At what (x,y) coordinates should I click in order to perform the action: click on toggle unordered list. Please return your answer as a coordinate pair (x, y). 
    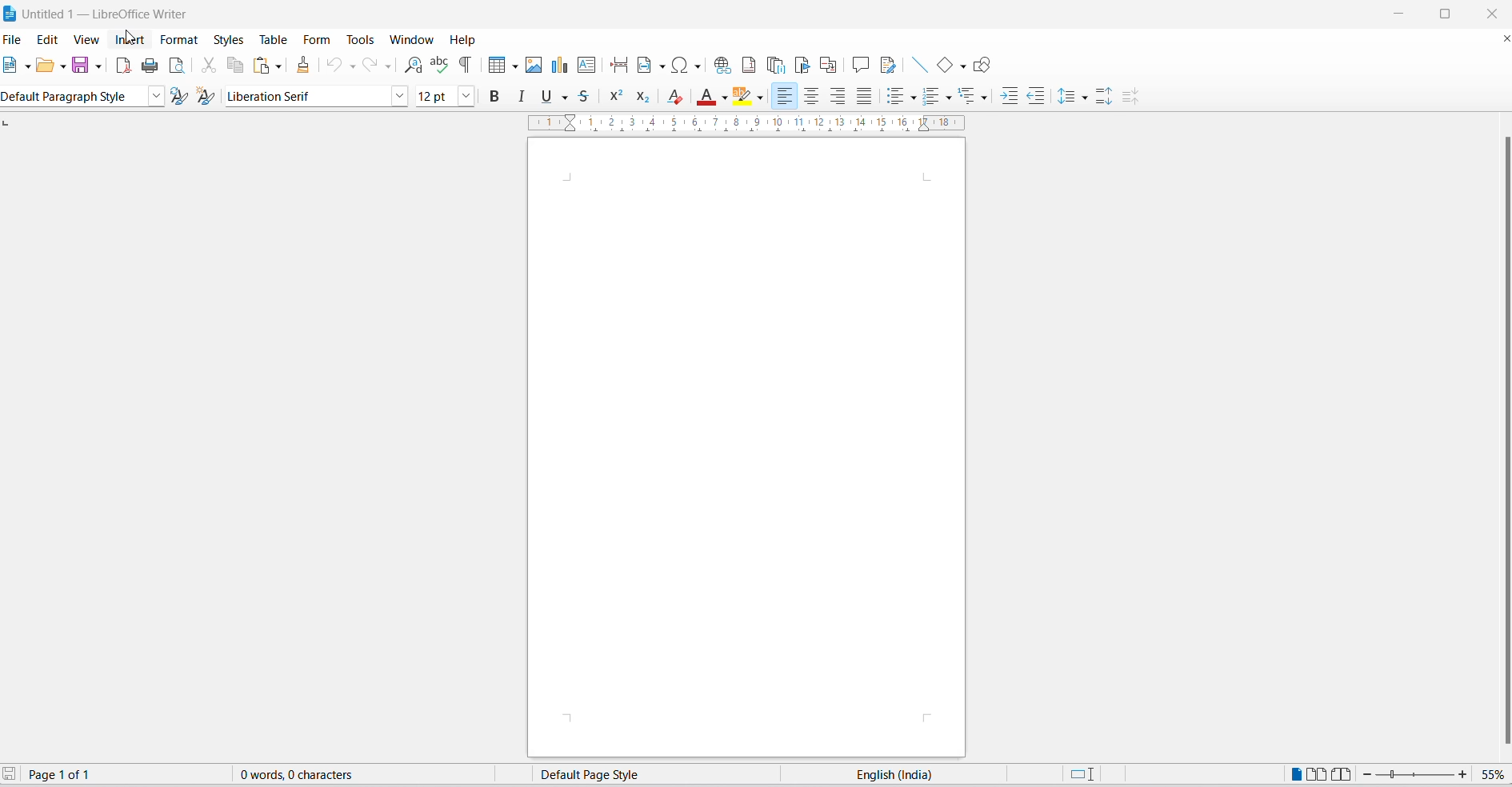
    Looking at the image, I should click on (895, 98).